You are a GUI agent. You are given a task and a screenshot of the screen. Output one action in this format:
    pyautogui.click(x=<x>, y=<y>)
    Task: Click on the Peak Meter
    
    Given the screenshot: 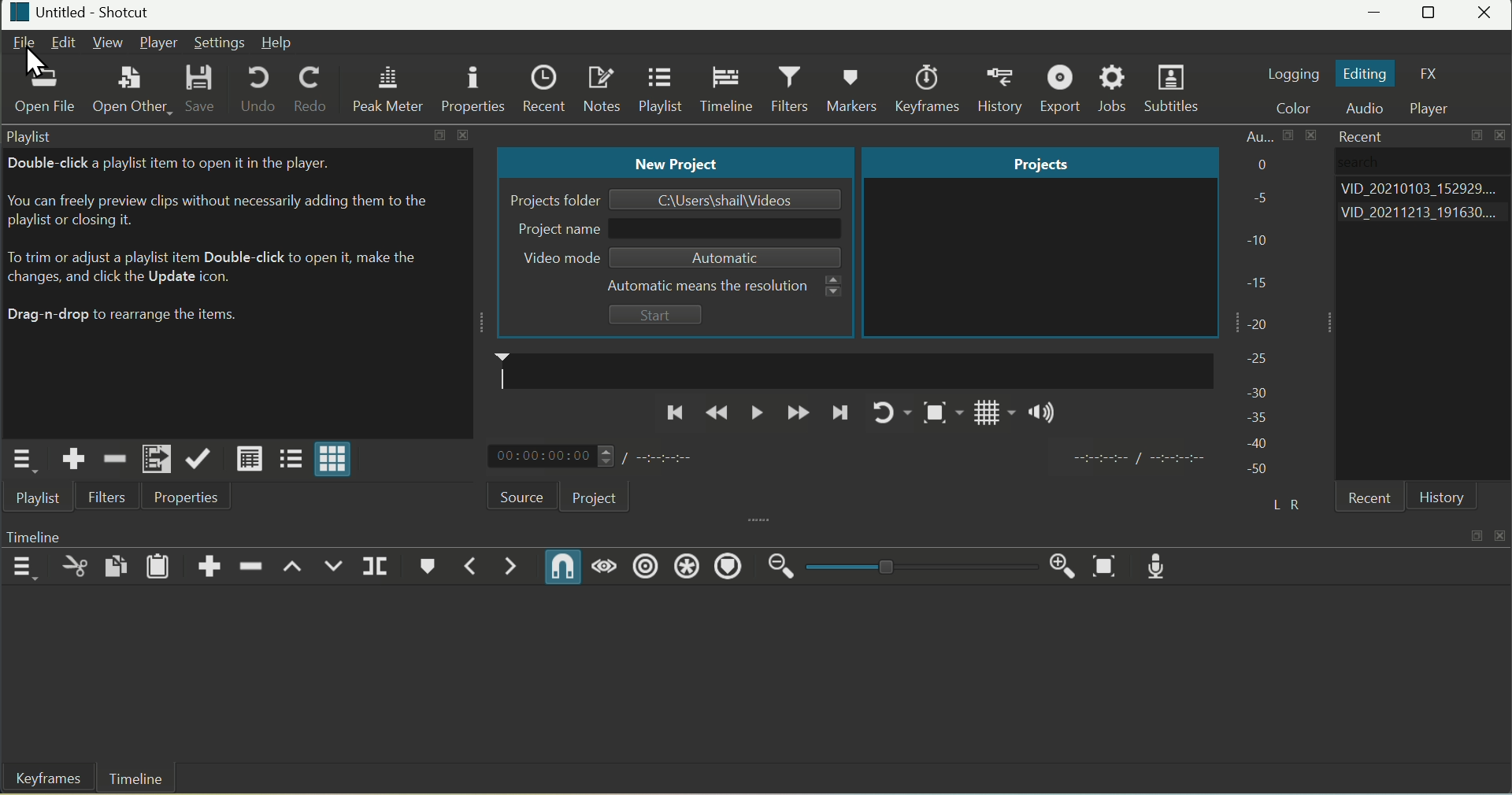 What is the action you would take?
    pyautogui.click(x=391, y=91)
    